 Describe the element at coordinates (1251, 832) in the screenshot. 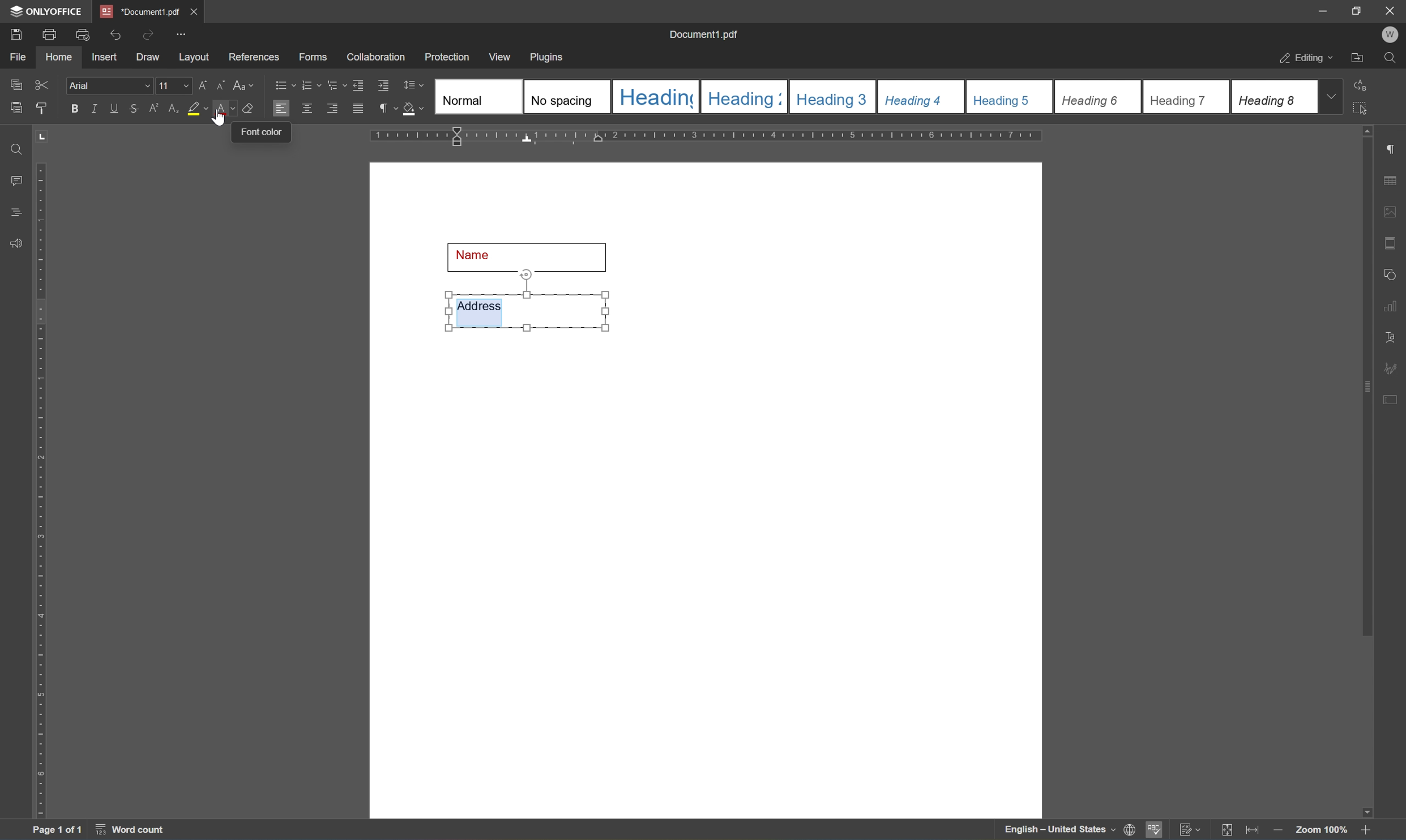

I see `fit to width` at that location.